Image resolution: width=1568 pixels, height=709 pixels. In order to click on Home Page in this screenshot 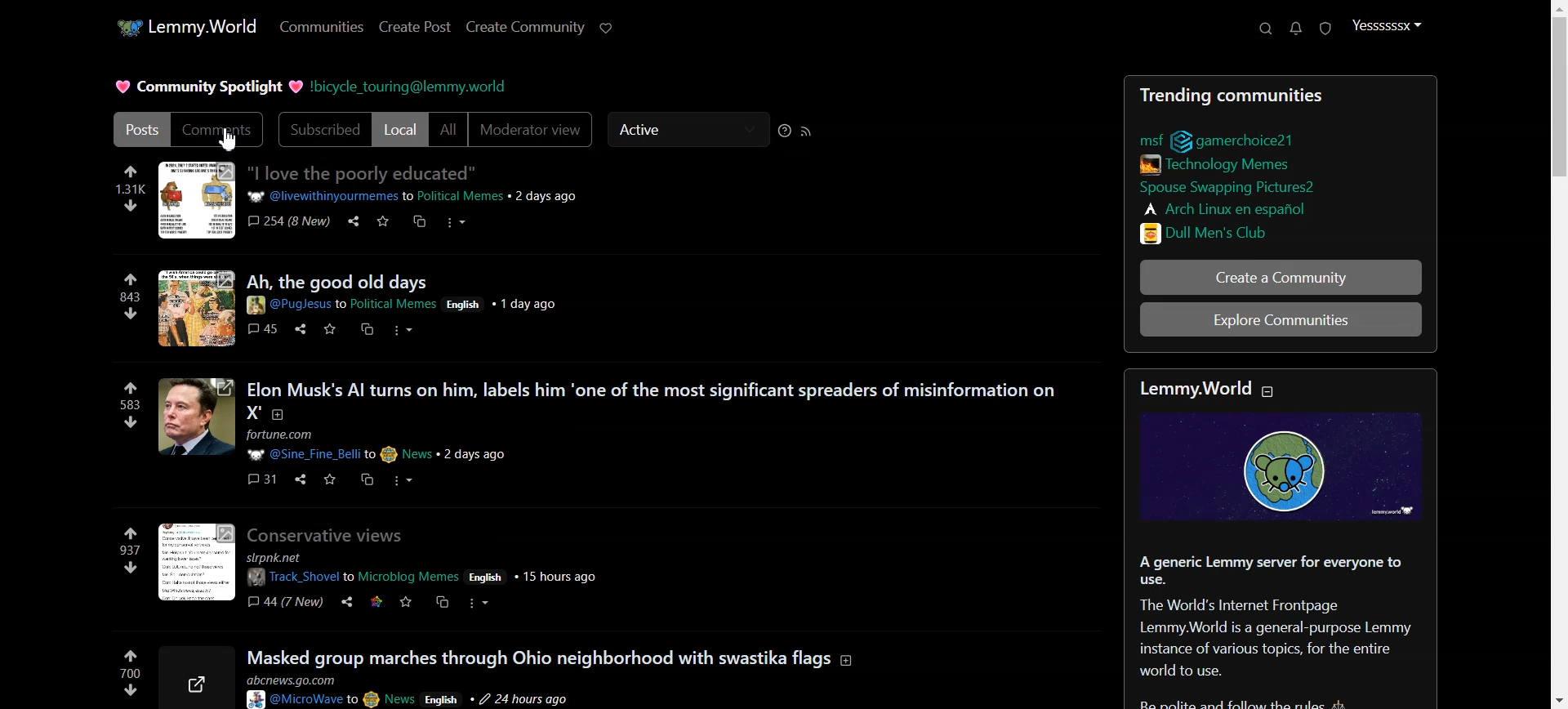, I will do `click(181, 26)`.